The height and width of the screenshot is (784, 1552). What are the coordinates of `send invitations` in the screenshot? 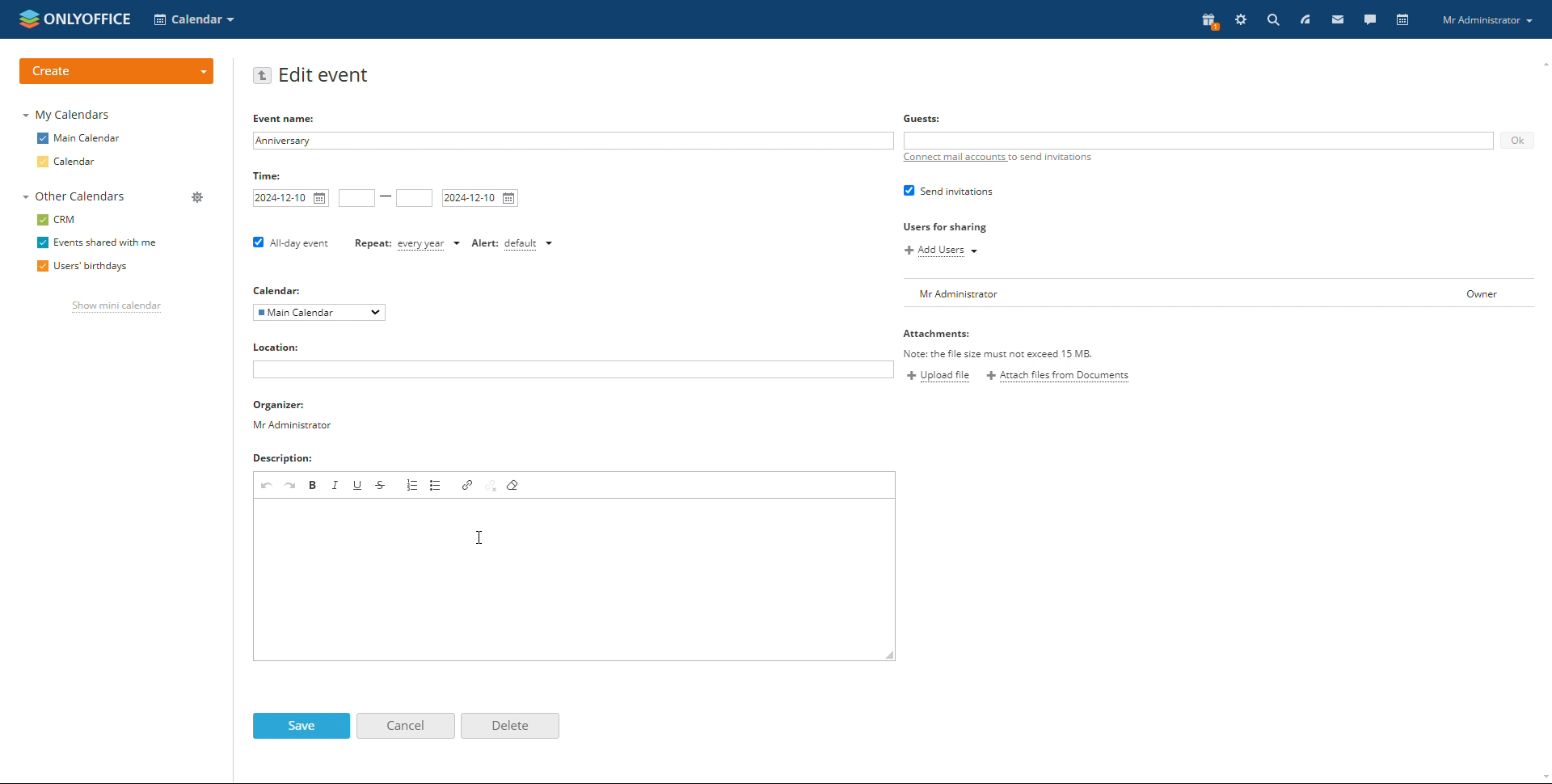 It's located at (951, 190).